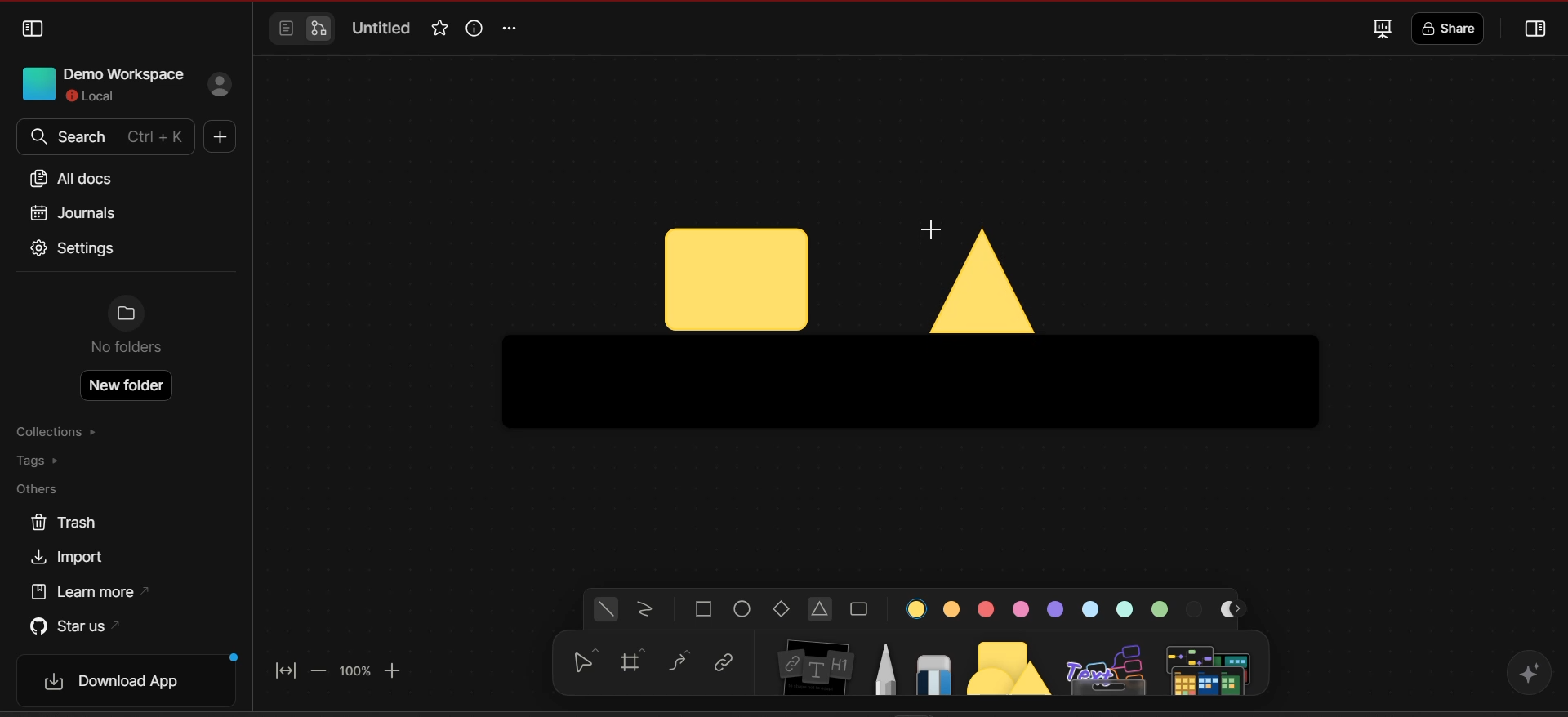  I want to click on additional tools, so click(1211, 668).